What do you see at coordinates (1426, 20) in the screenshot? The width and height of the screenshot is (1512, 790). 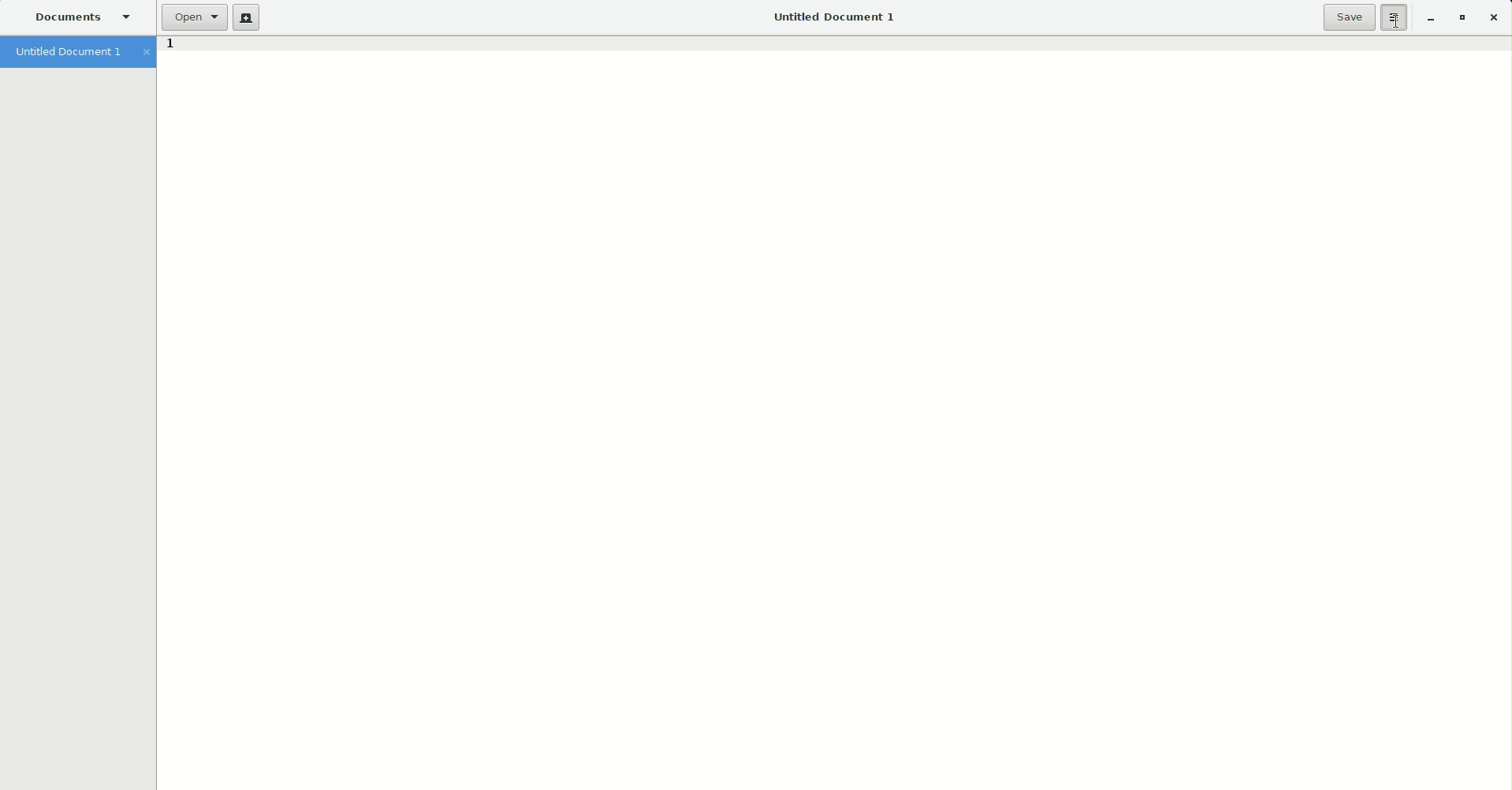 I see `Restore` at bounding box center [1426, 20].